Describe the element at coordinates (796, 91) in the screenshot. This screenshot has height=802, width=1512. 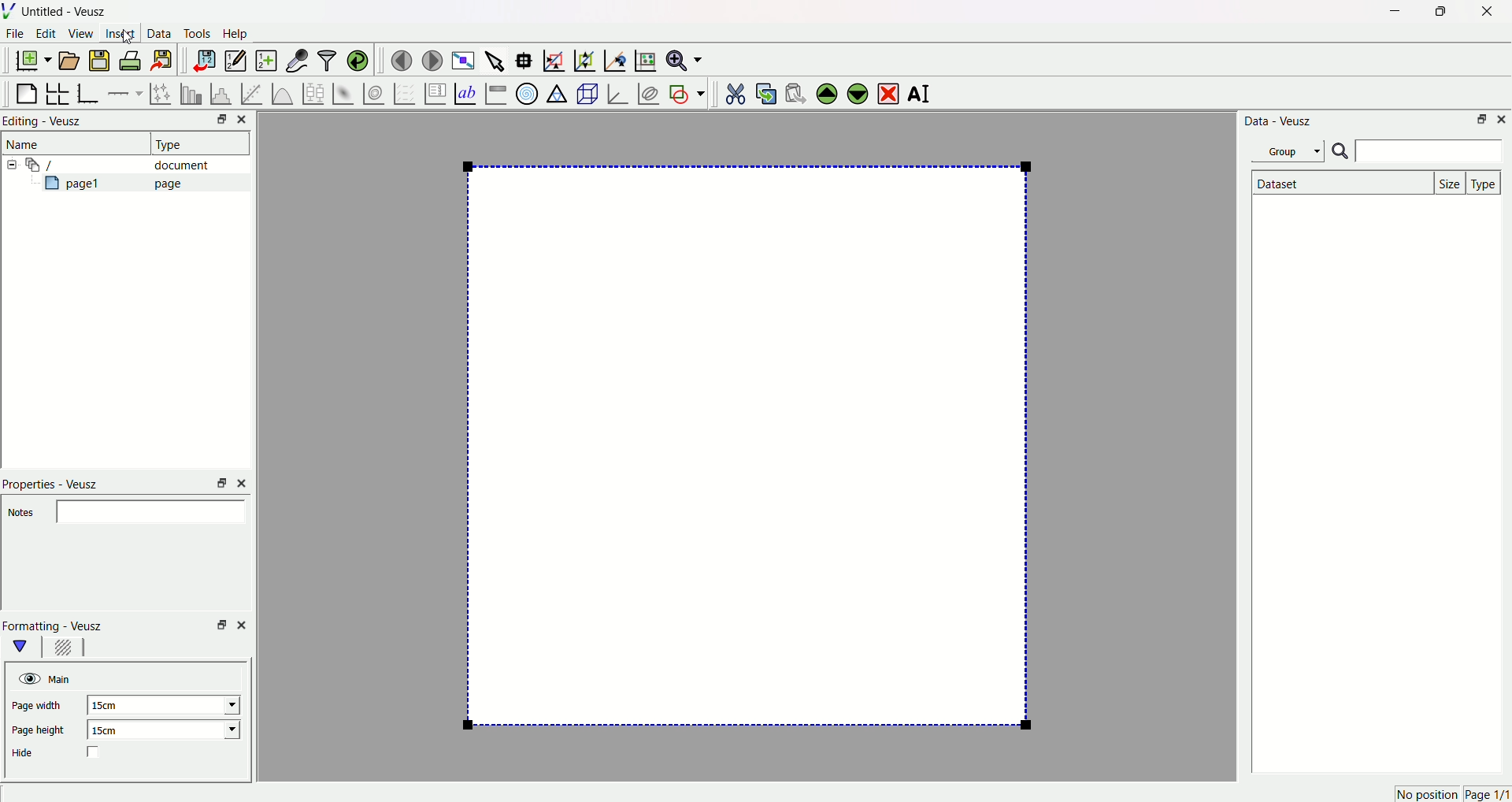
I see `paste the widgets` at that location.